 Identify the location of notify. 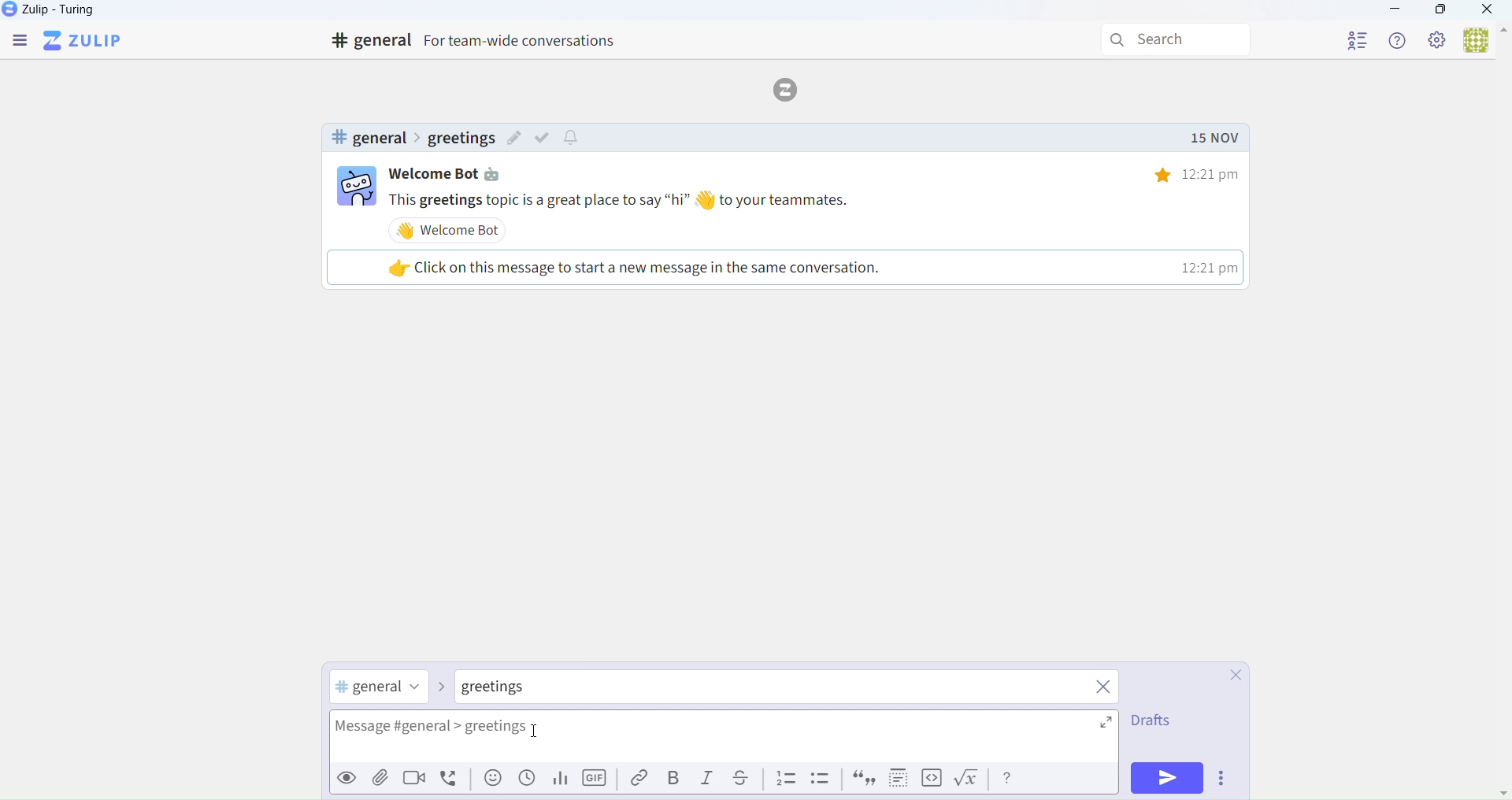
(573, 139).